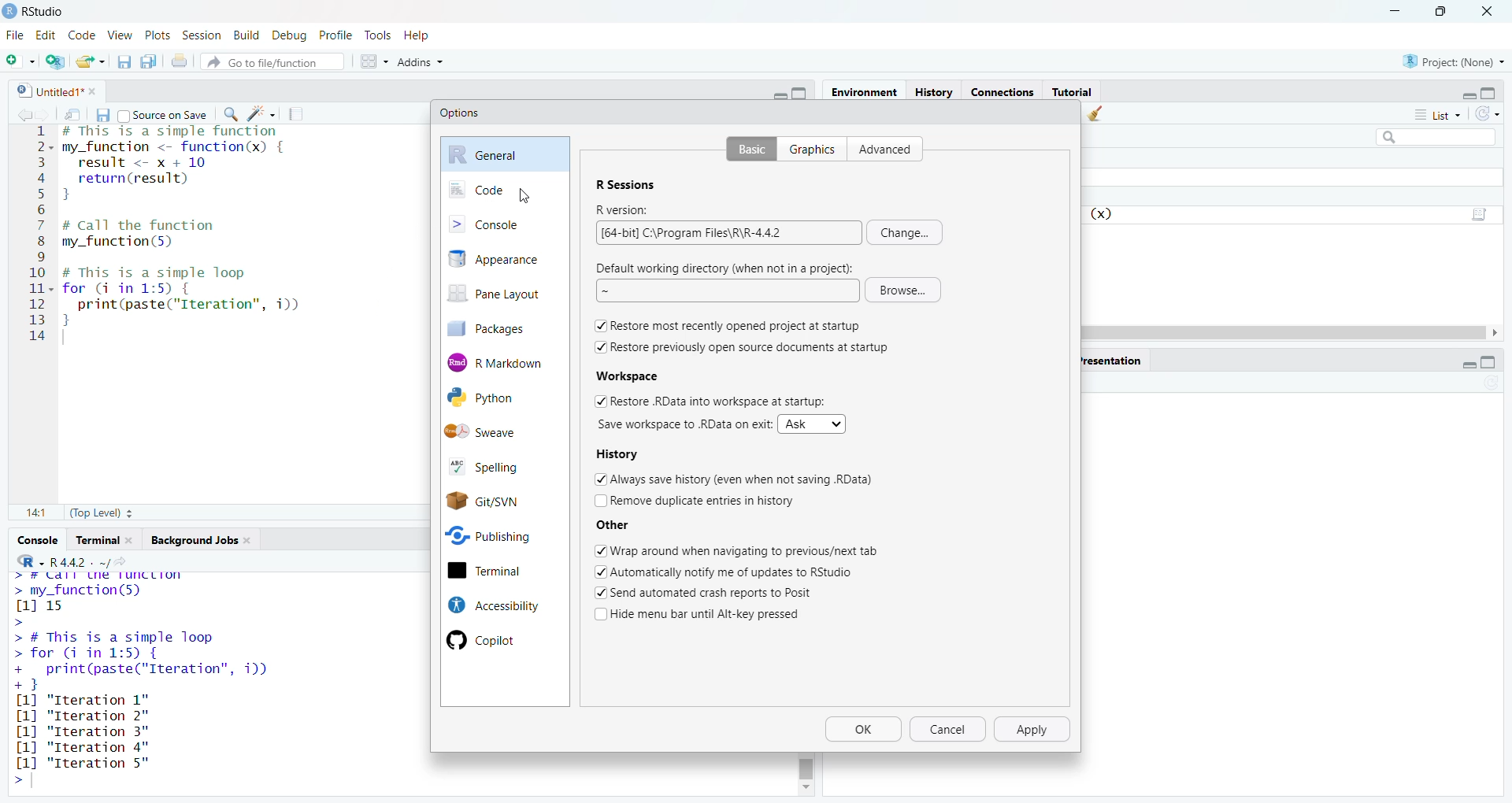 The width and height of the screenshot is (1512, 803). What do you see at coordinates (300, 112) in the screenshot?
I see `compile report` at bounding box center [300, 112].